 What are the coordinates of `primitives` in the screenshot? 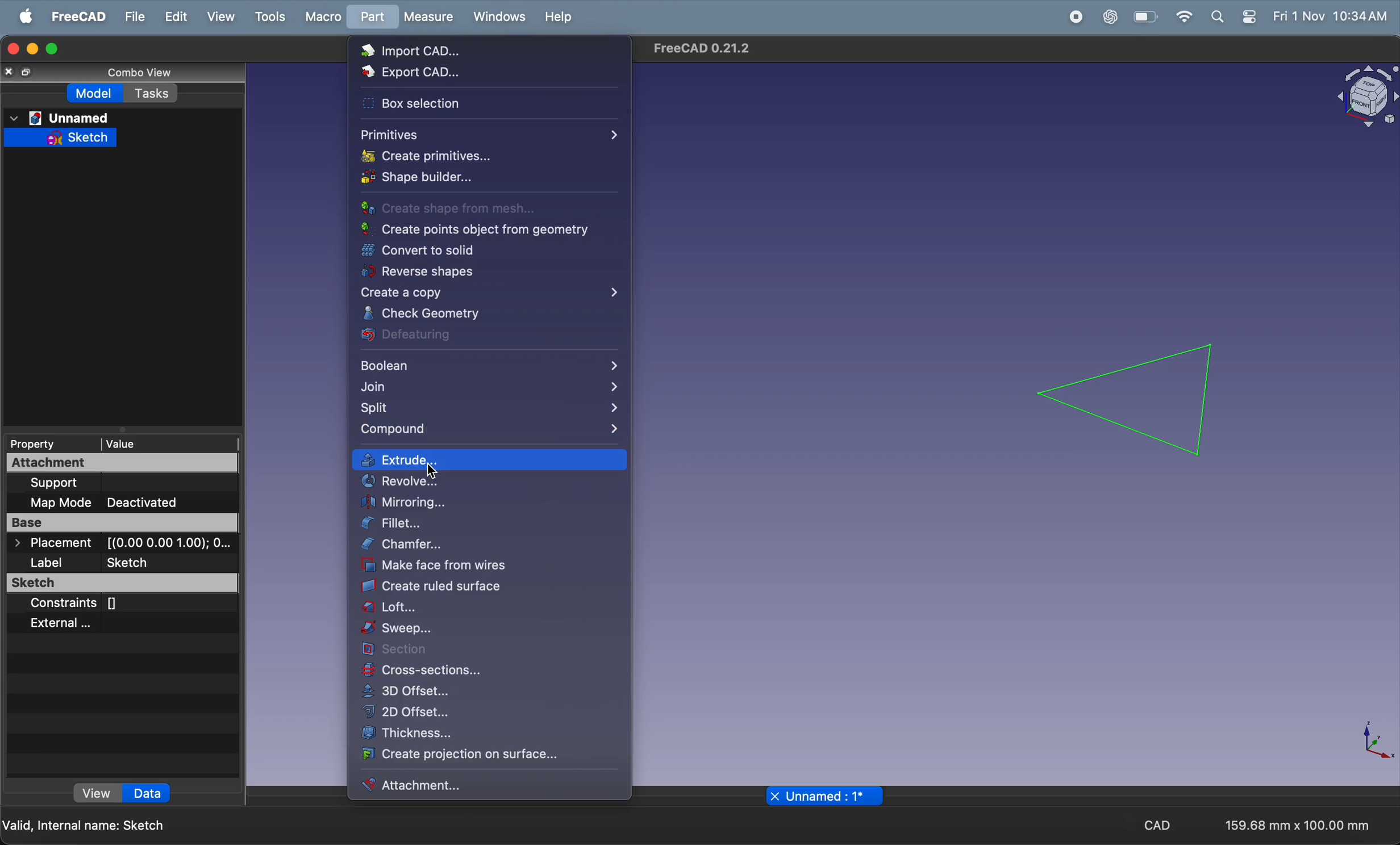 It's located at (487, 135).